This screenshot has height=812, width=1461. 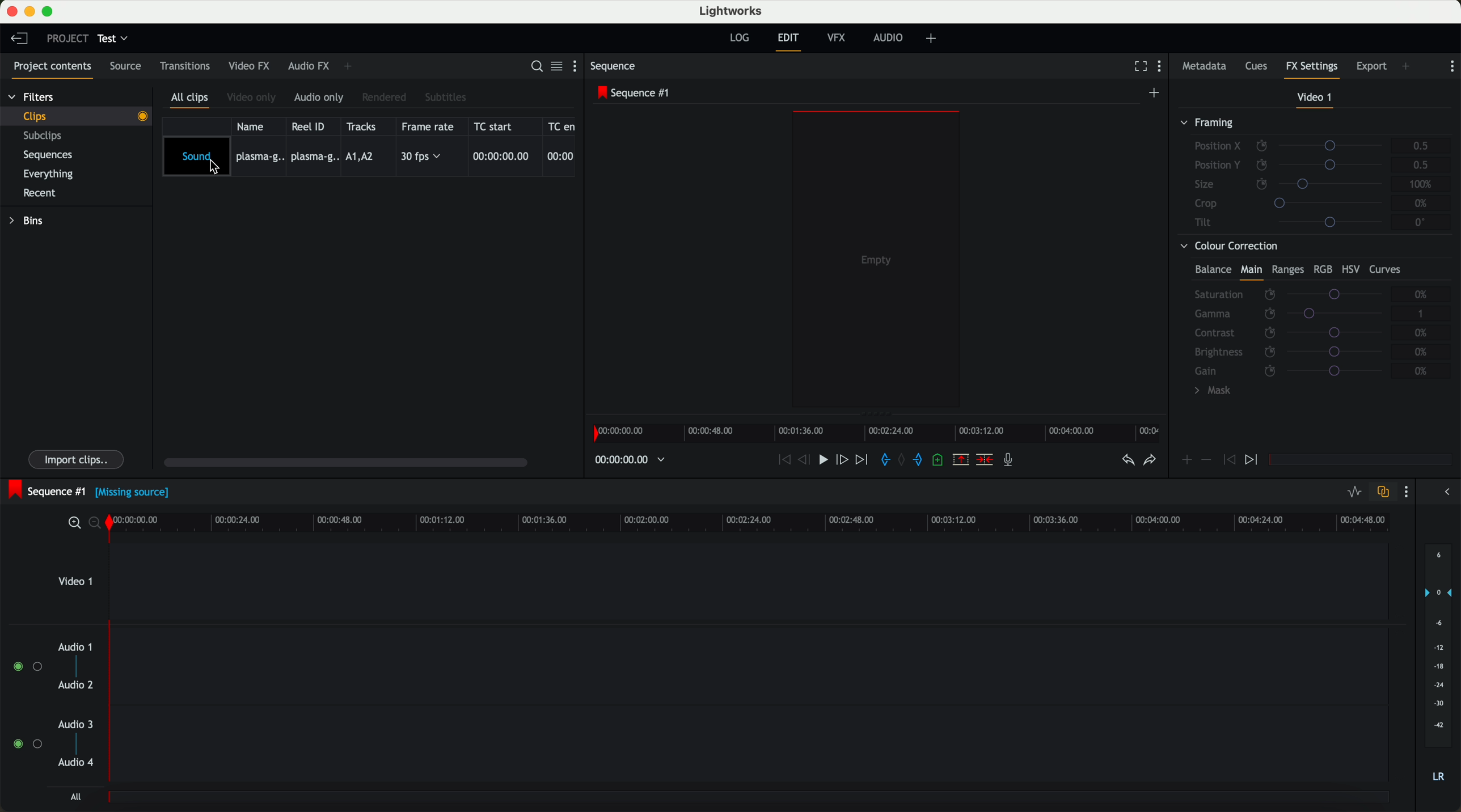 I want to click on jump to previous keyframe, so click(x=1230, y=463).